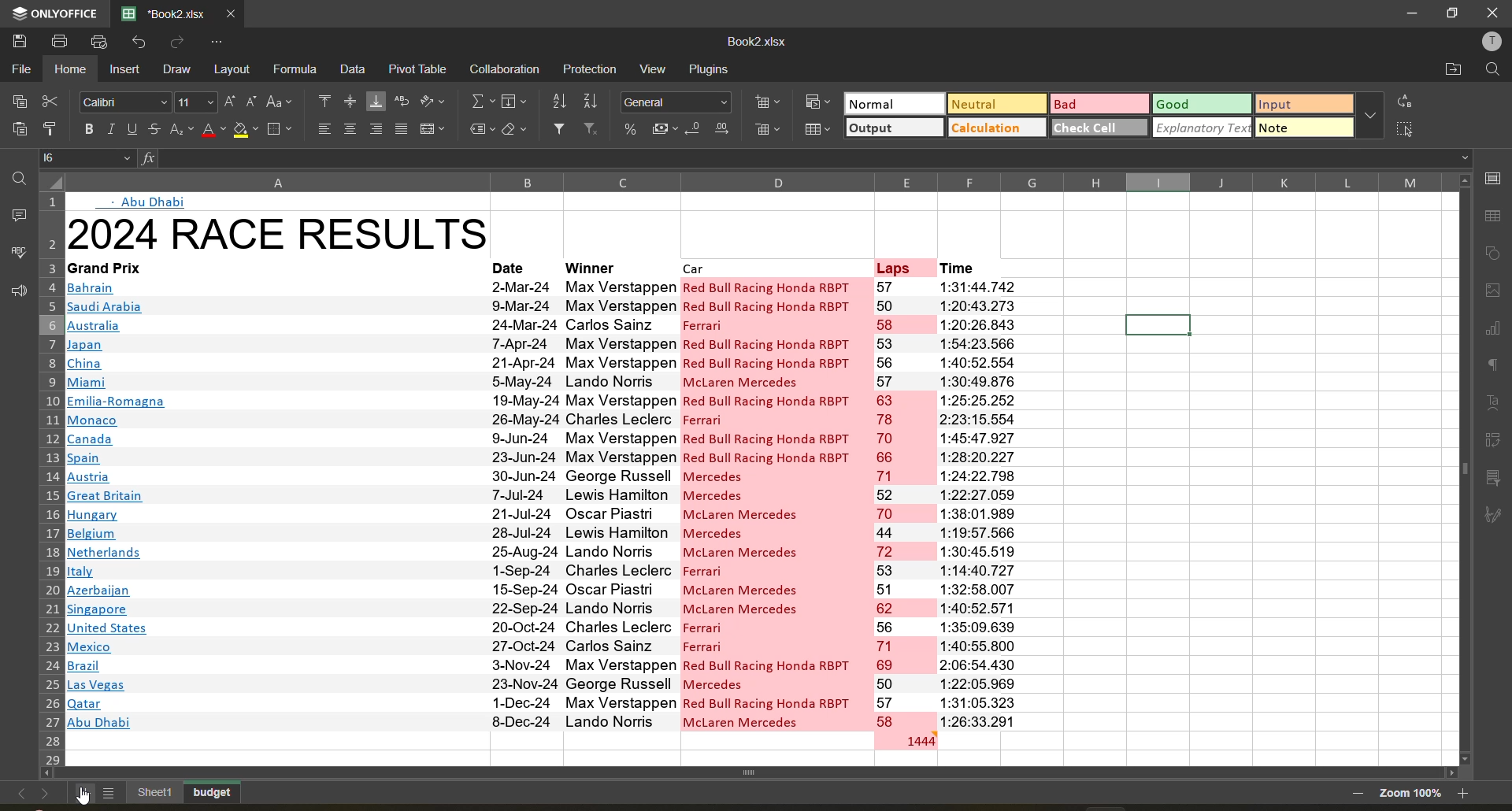  Describe the element at coordinates (406, 102) in the screenshot. I see `wrap text` at that location.